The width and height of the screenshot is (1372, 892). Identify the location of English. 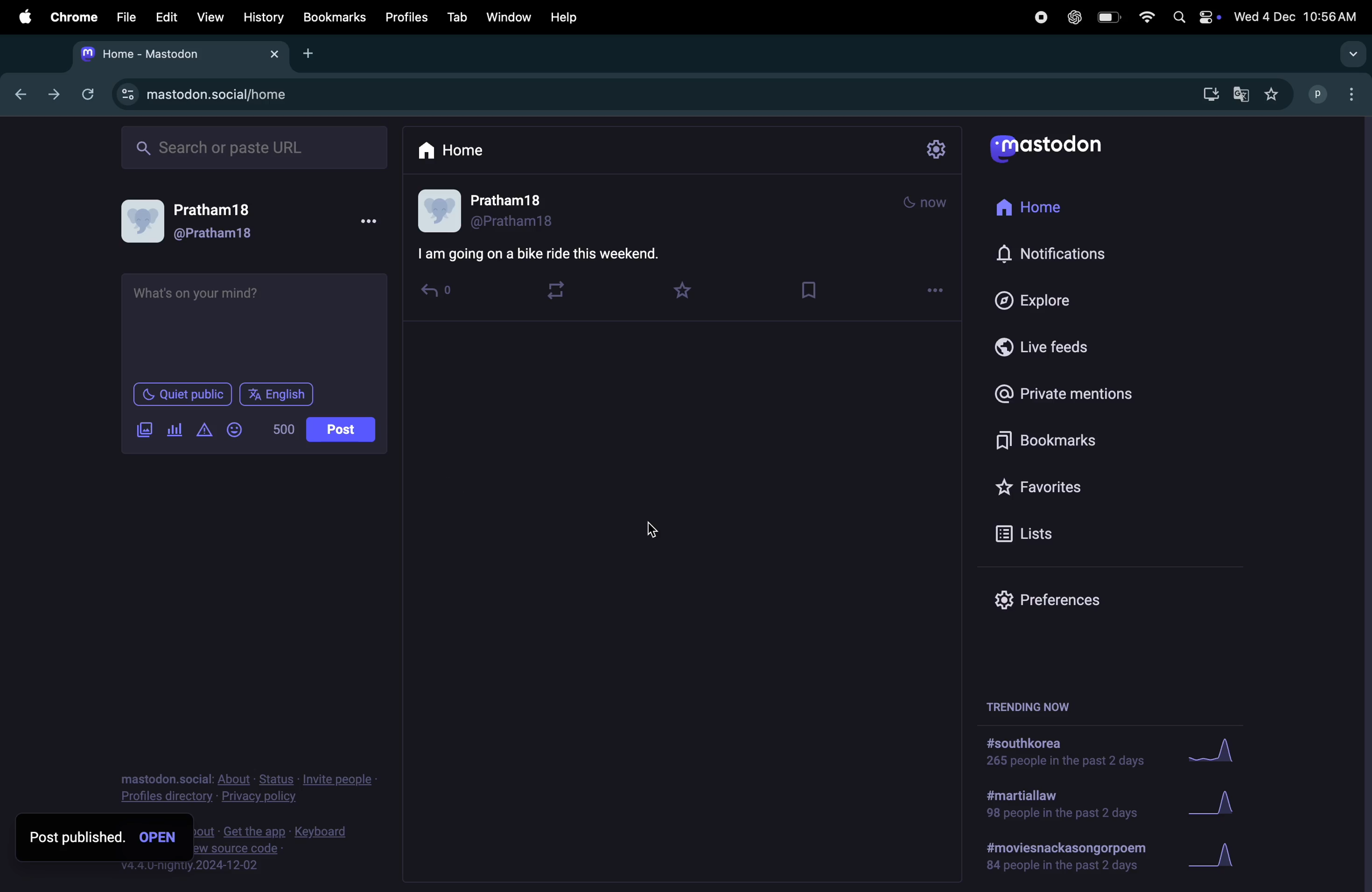
(278, 395).